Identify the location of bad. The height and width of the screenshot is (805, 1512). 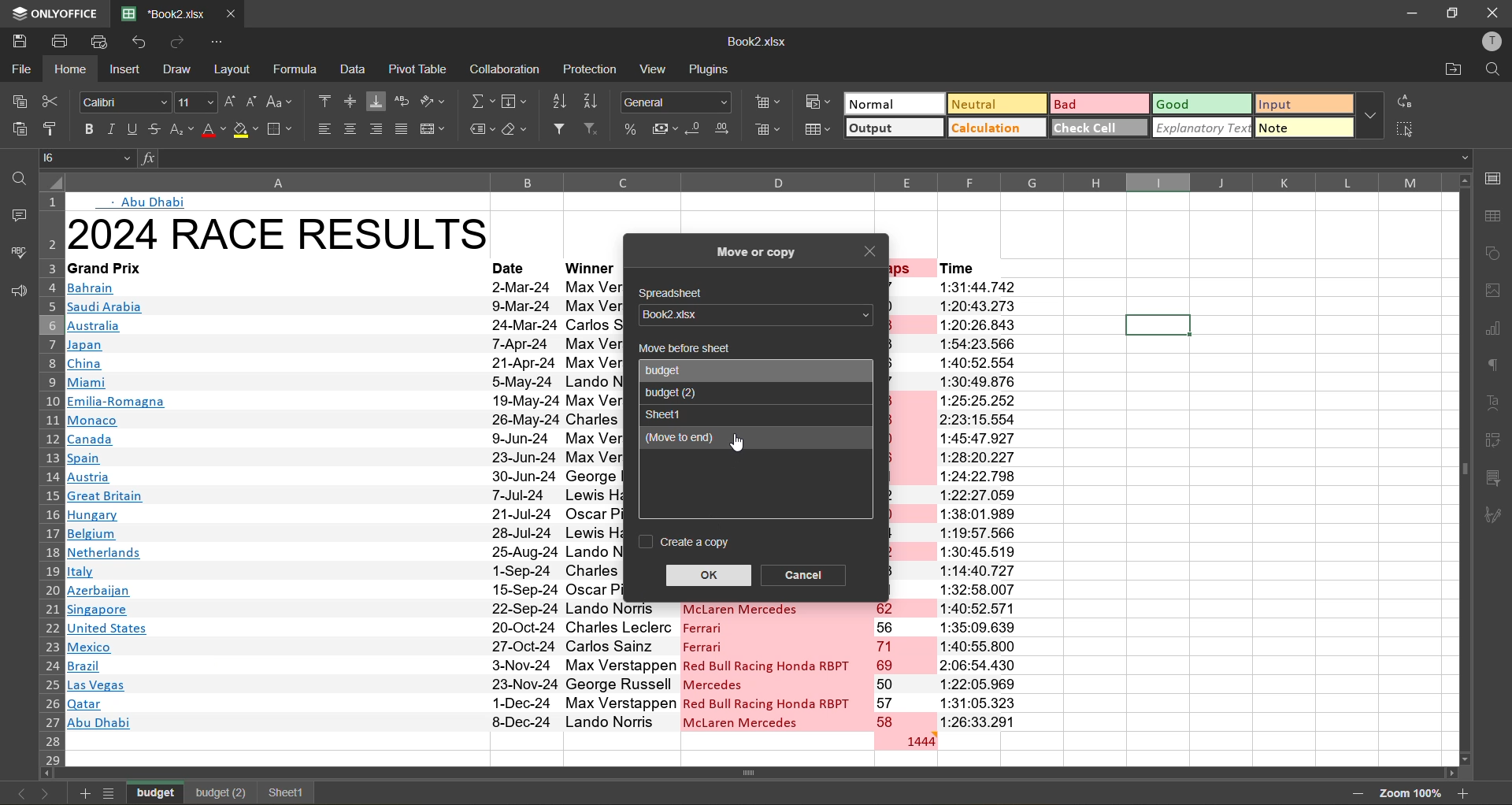
(1097, 103).